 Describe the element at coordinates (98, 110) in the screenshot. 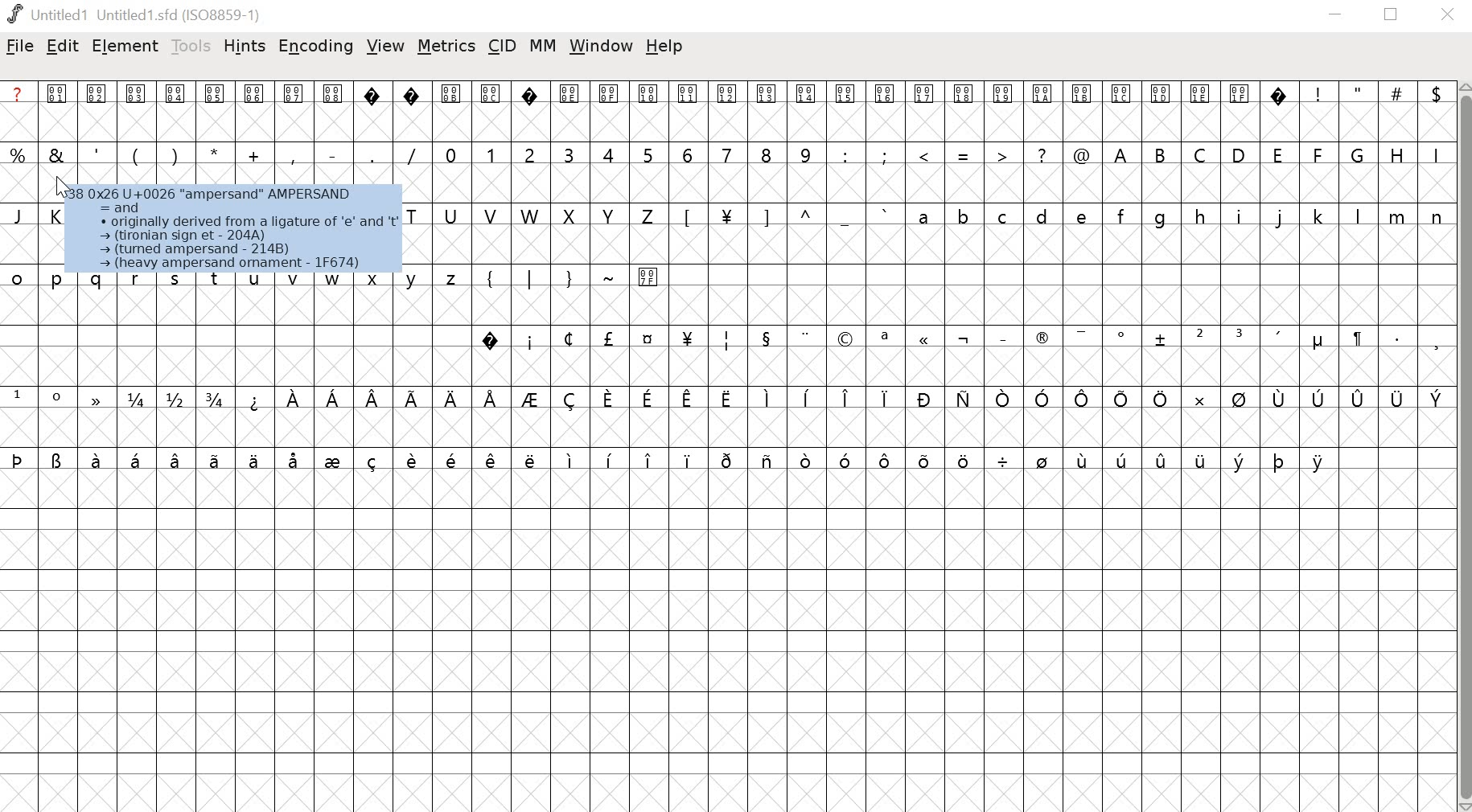

I see `0002` at that location.